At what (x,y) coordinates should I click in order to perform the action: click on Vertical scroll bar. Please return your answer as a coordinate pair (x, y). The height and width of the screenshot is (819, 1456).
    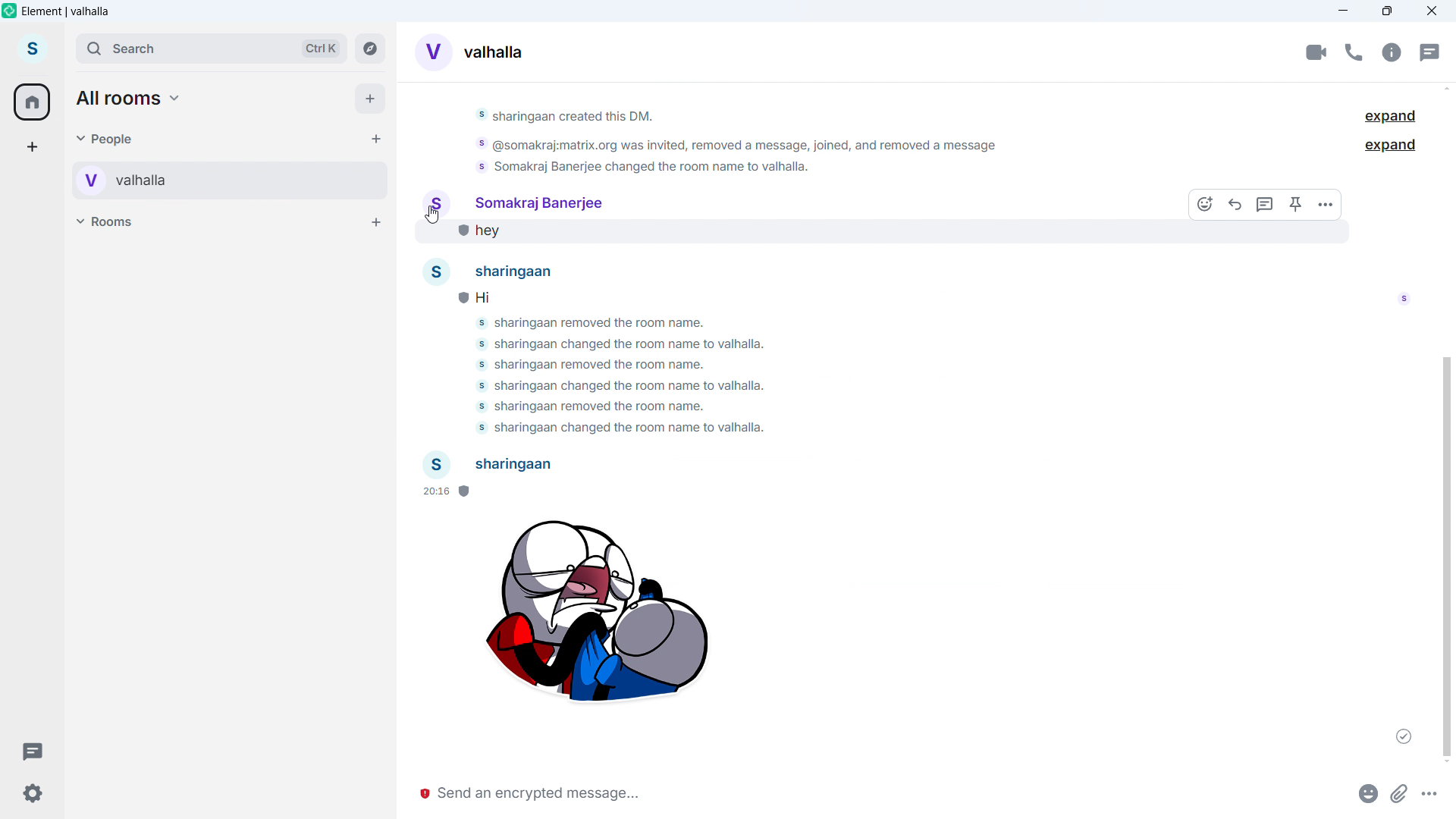
    Looking at the image, I should click on (1448, 554).